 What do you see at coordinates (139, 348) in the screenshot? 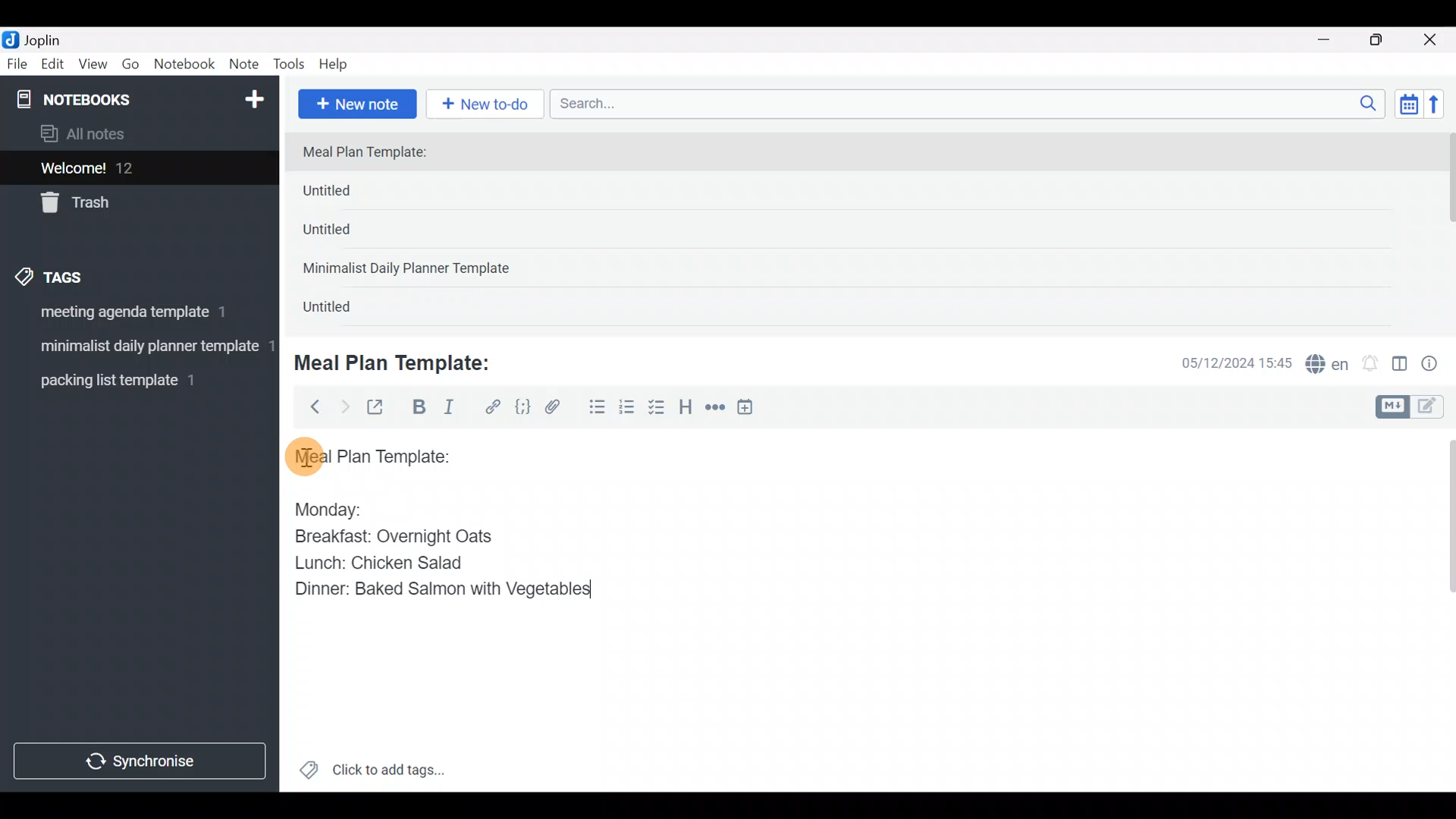
I see `Tag 2` at bounding box center [139, 348].